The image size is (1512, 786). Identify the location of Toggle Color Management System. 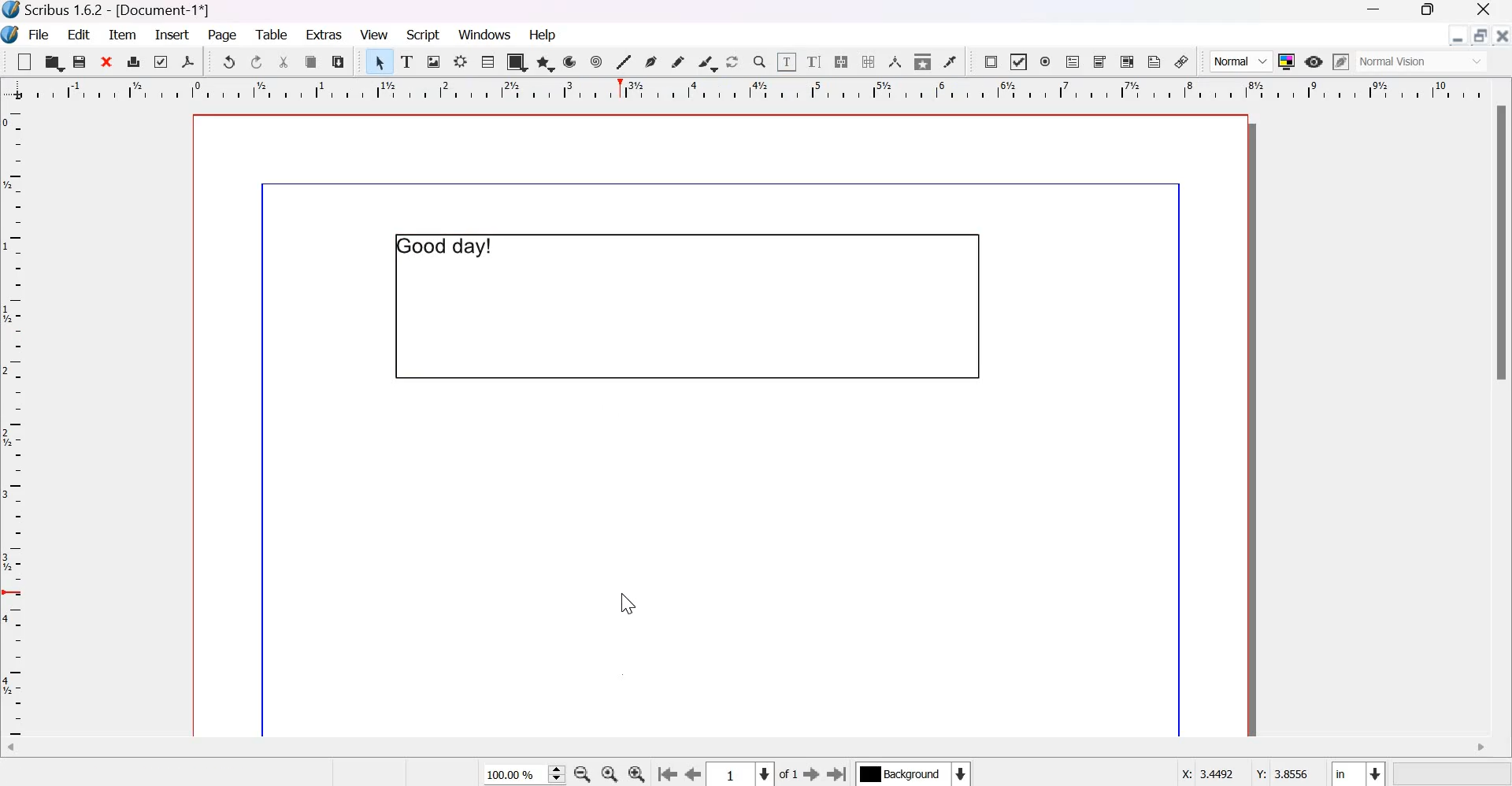
(1287, 61).